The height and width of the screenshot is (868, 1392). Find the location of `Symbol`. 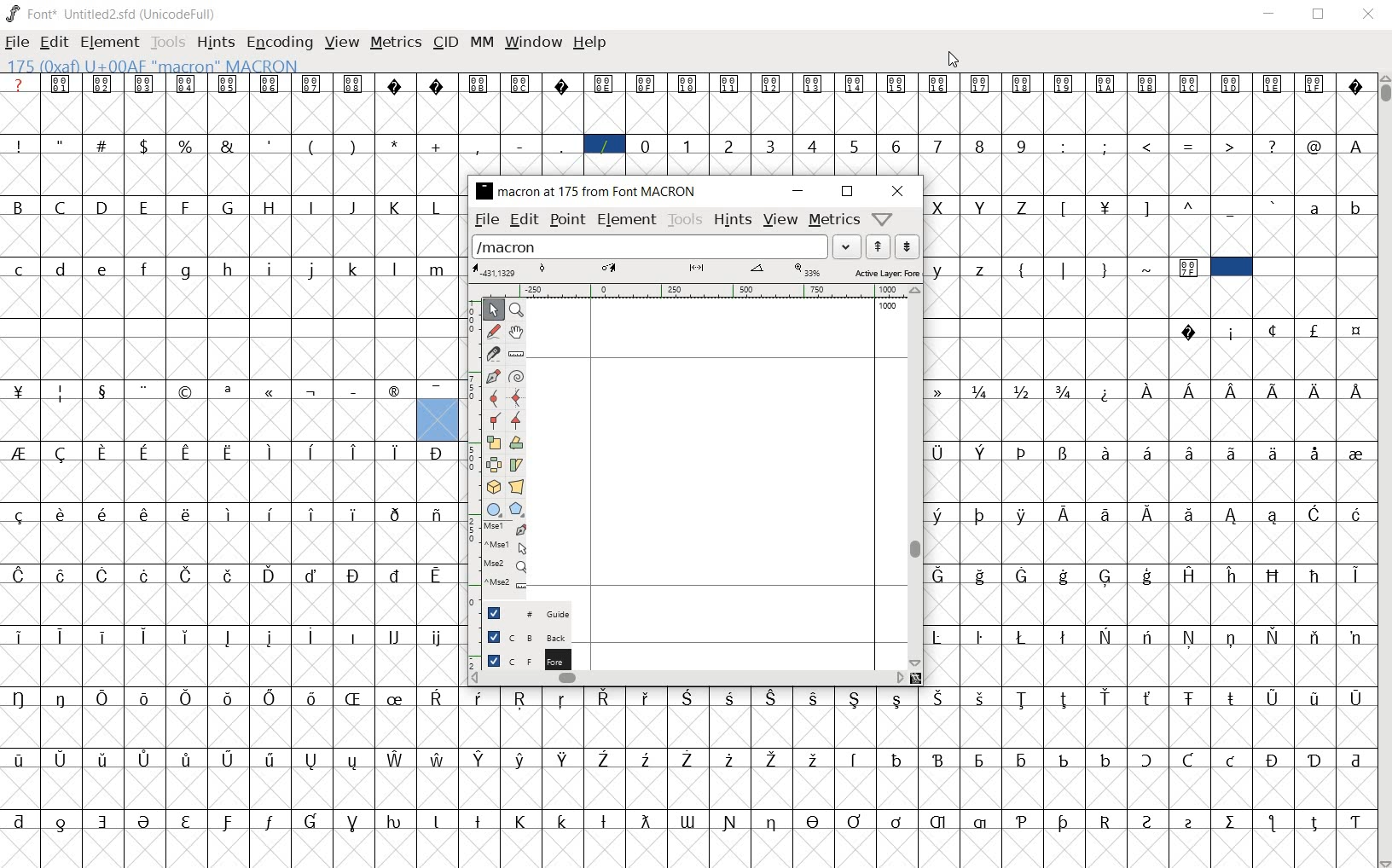

Symbol is located at coordinates (64, 574).